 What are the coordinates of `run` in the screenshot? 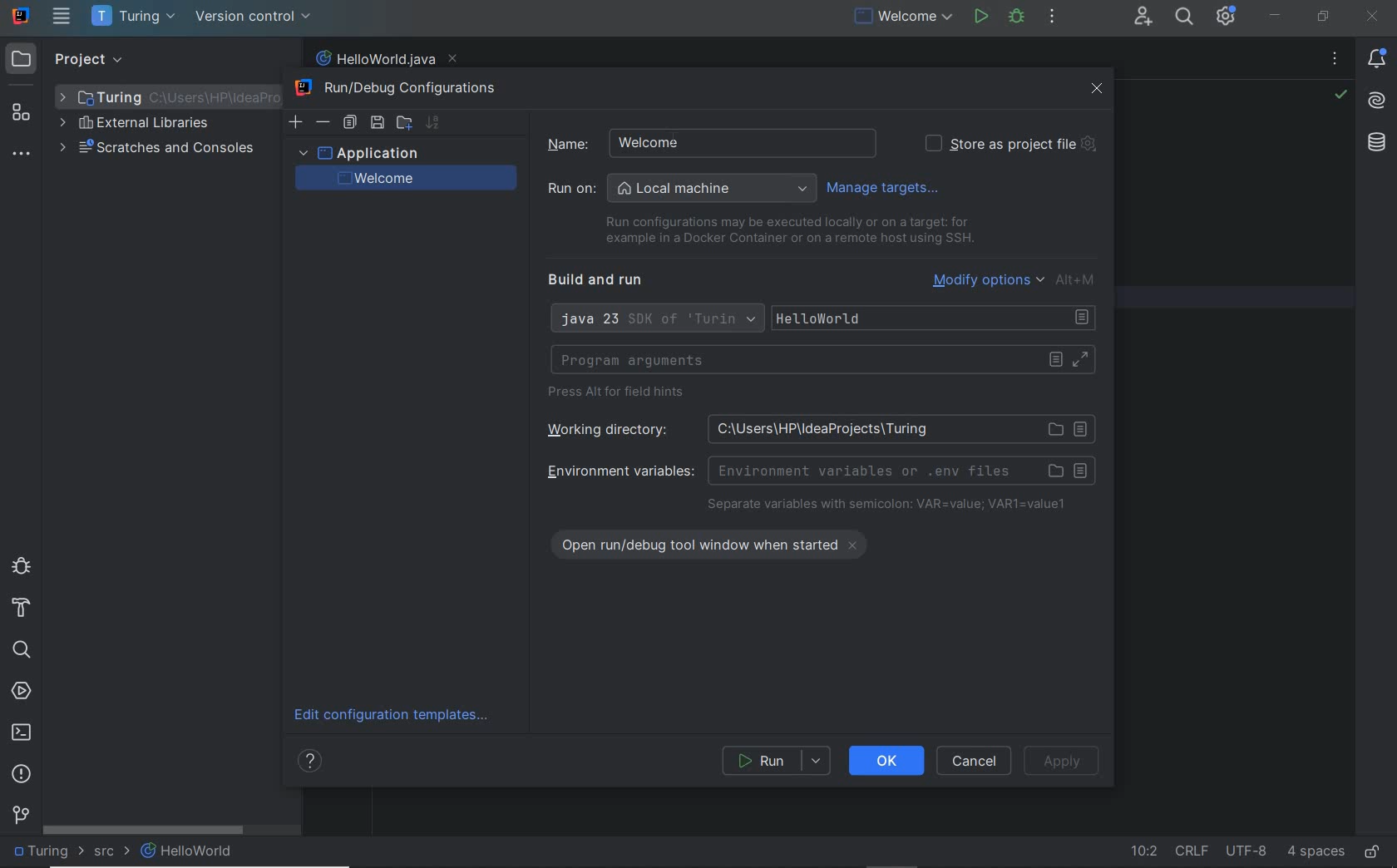 It's located at (777, 761).